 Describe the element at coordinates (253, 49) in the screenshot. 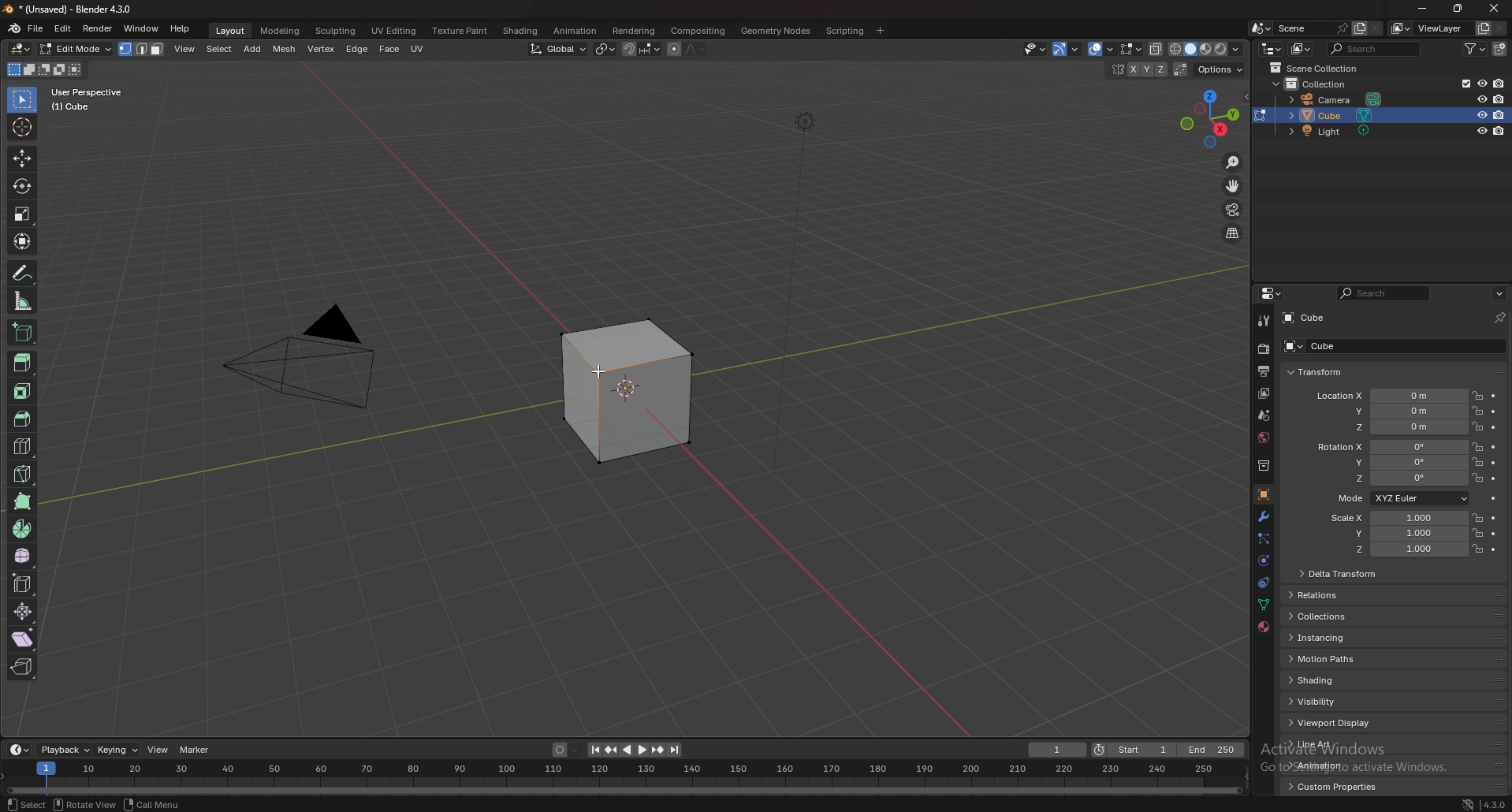

I see `add` at that location.